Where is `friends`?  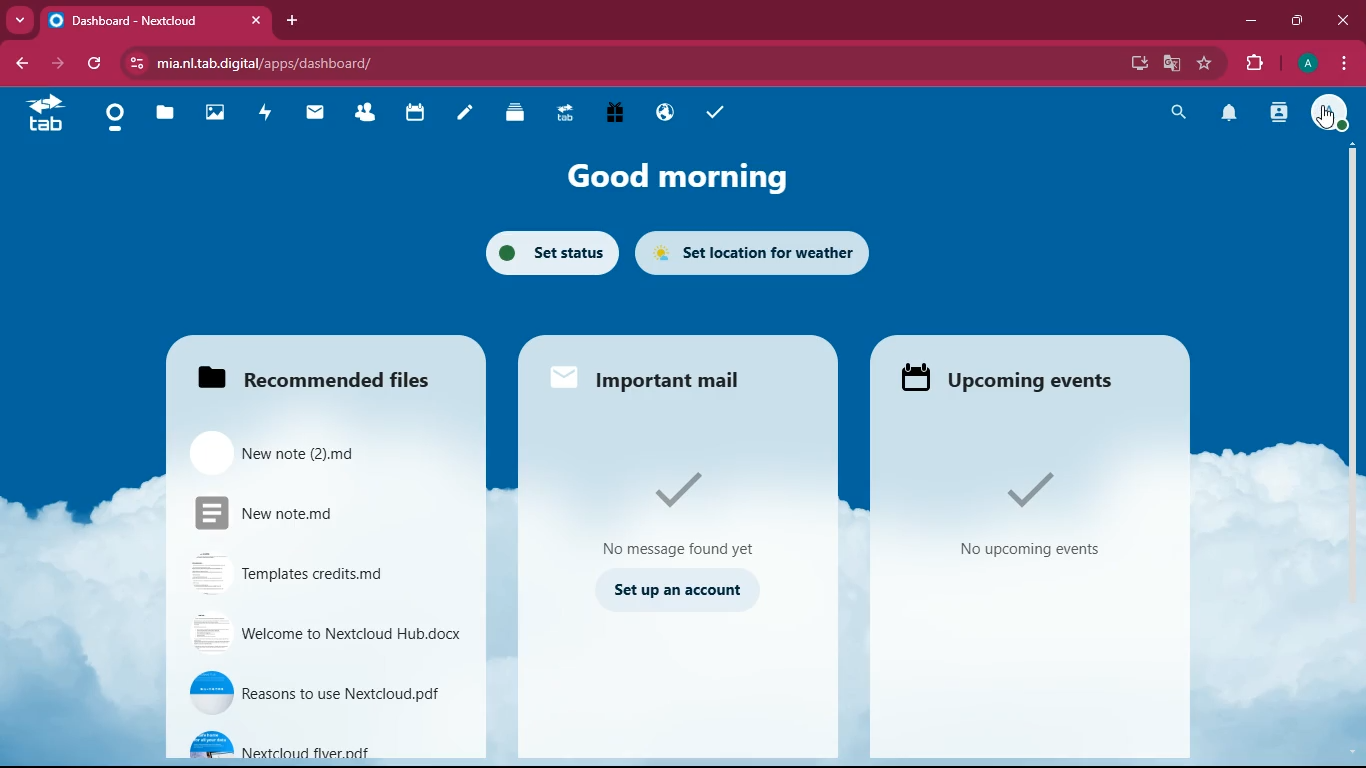 friends is located at coordinates (370, 112).